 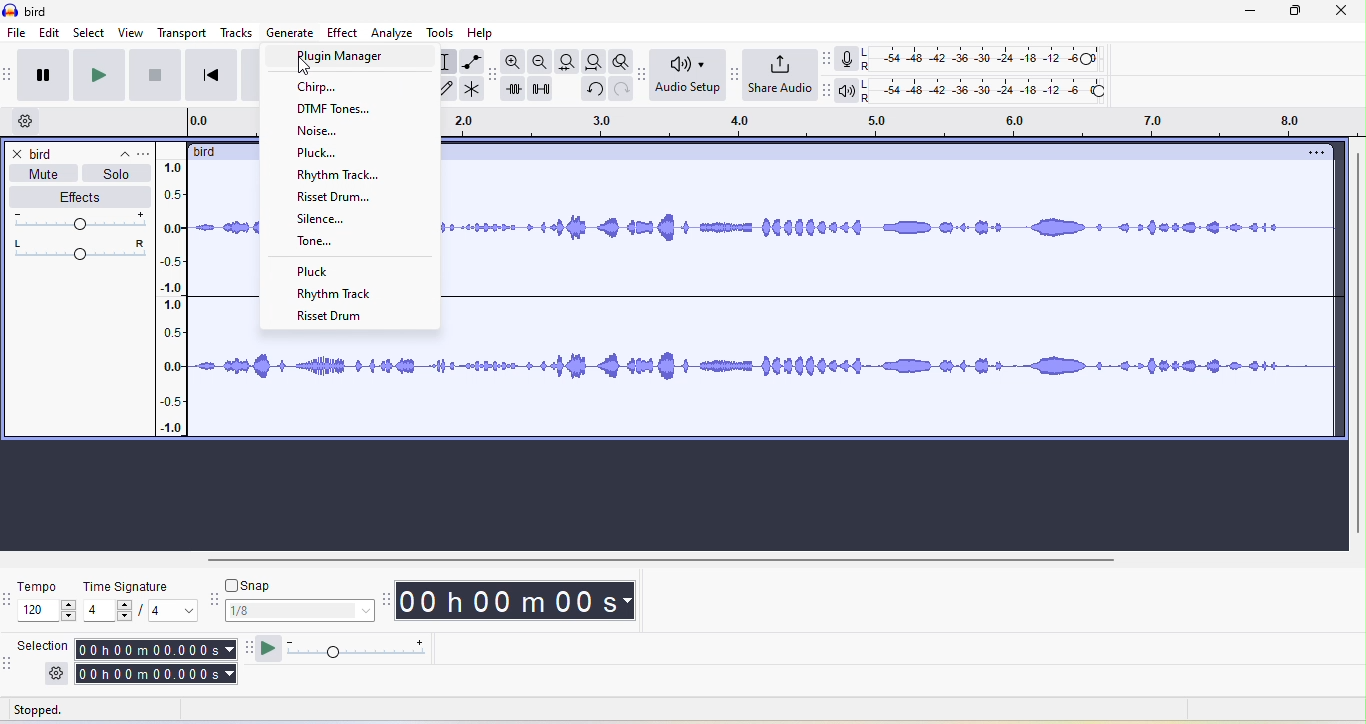 I want to click on audacity transport toolbar , so click(x=9, y=78).